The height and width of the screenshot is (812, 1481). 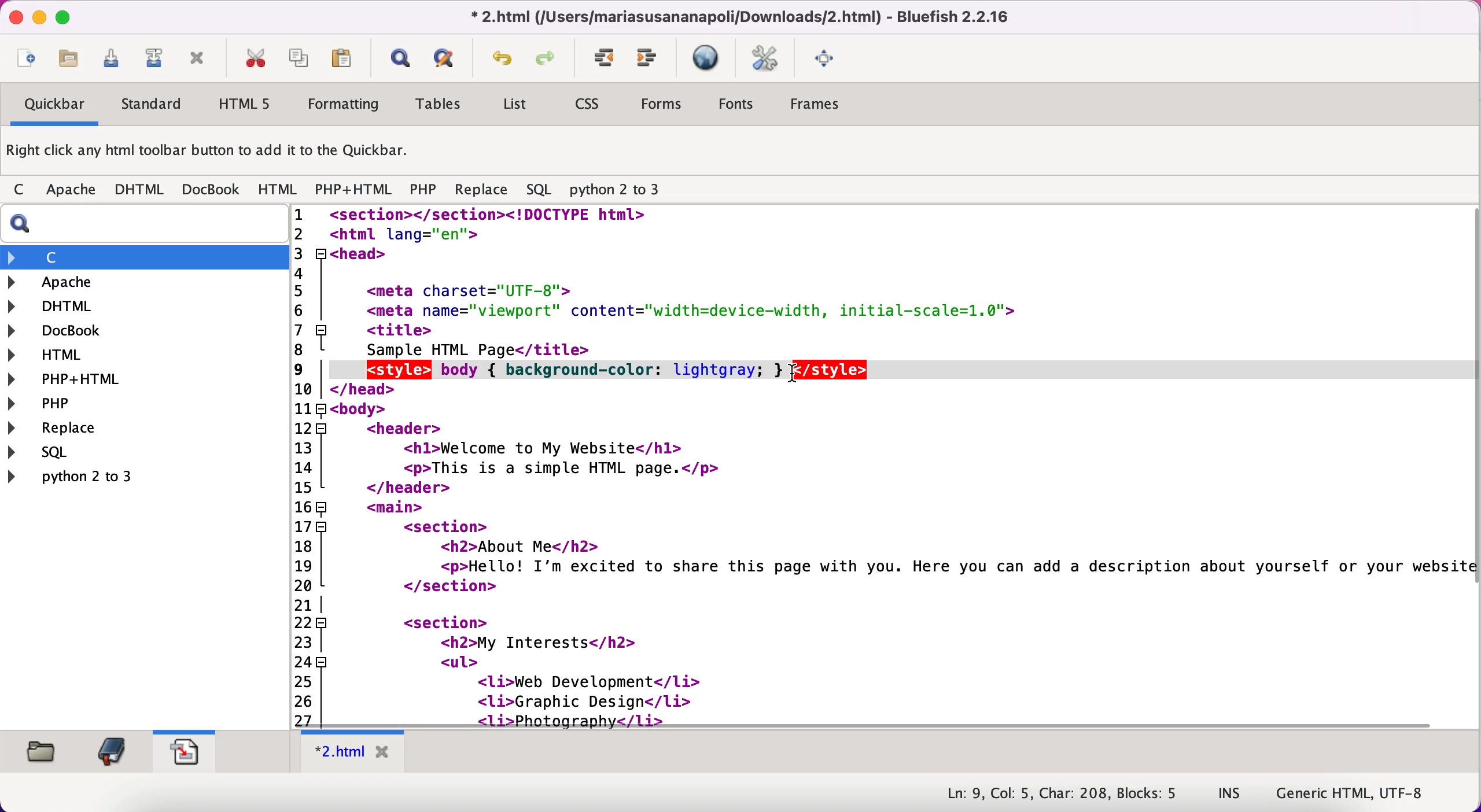 What do you see at coordinates (605, 58) in the screenshot?
I see `indent` at bounding box center [605, 58].